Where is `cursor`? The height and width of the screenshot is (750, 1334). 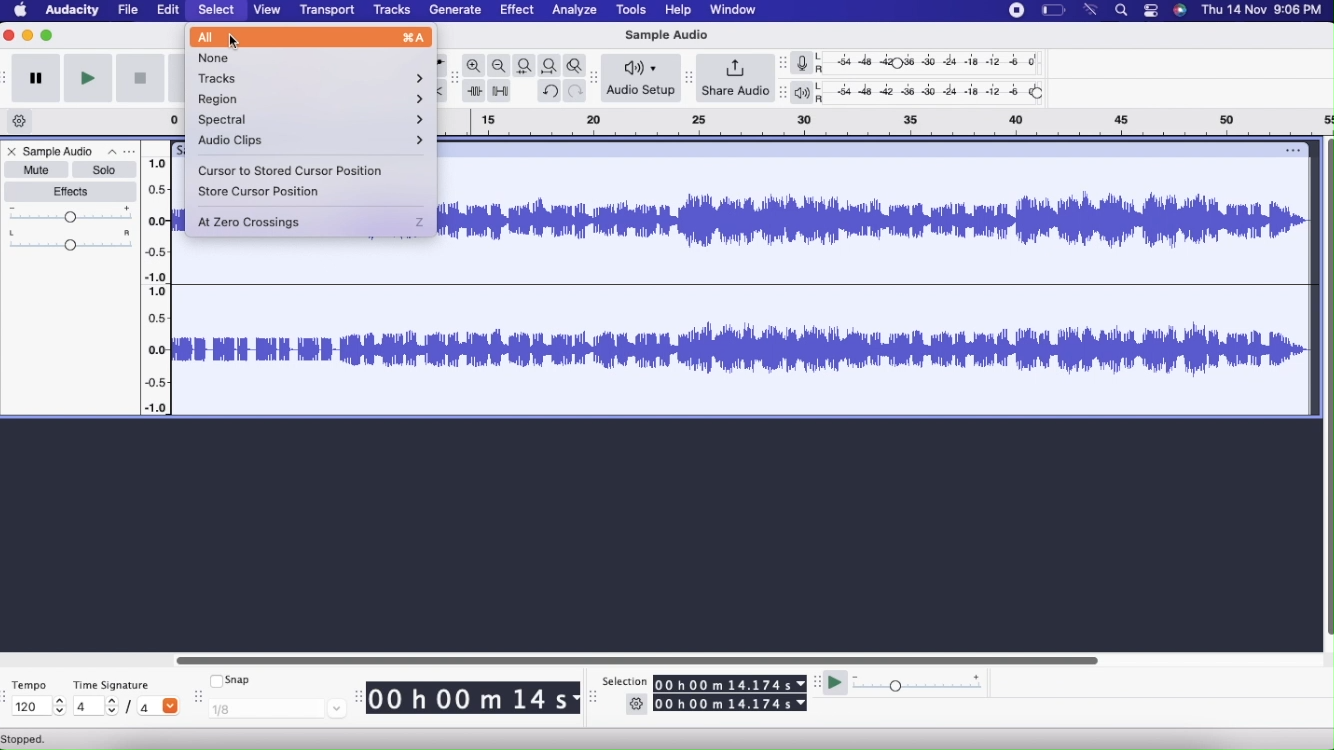 cursor is located at coordinates (238, 42).